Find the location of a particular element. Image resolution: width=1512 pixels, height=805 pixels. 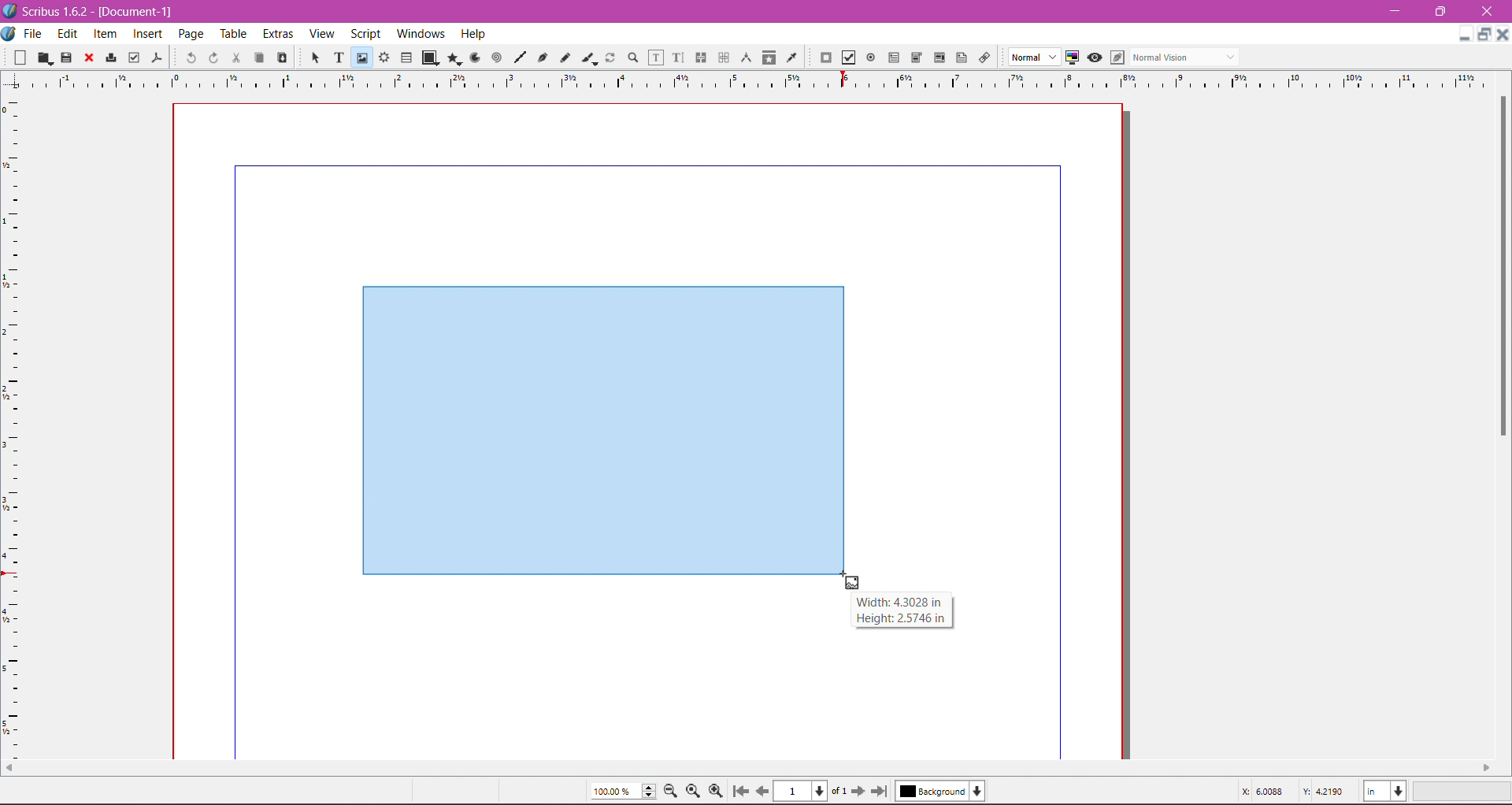

Current Page is located at coordinates (810, 791).